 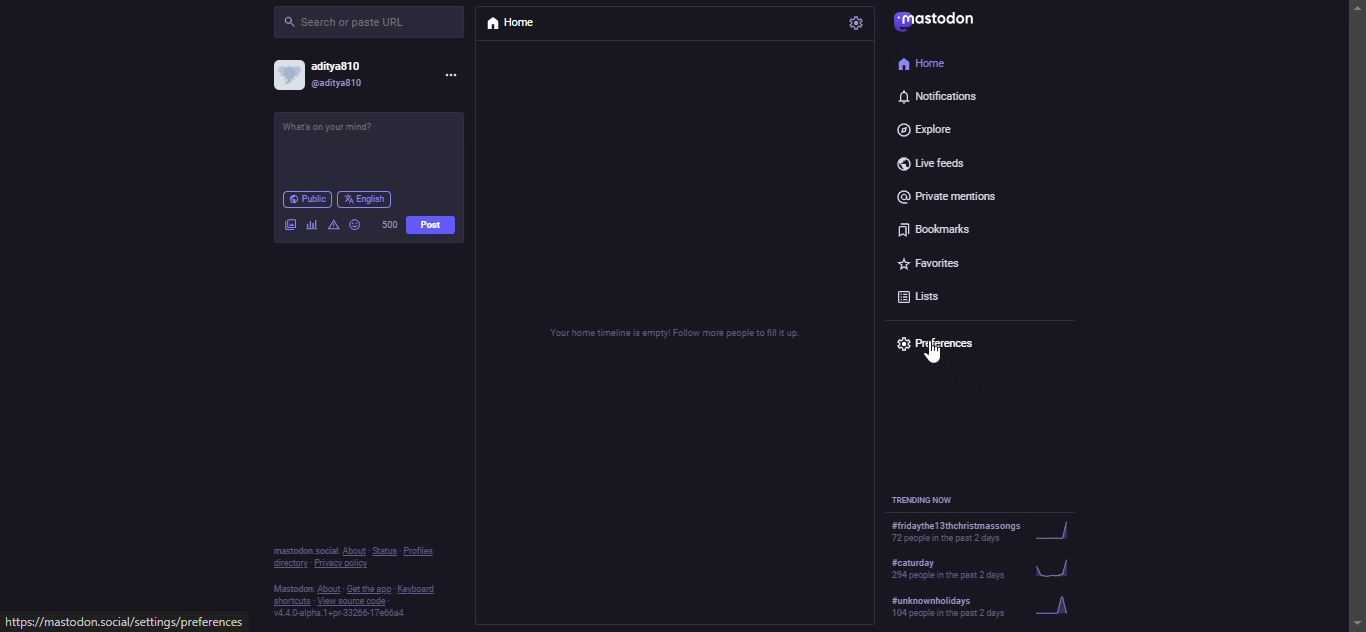 I want to click on bookmarks, so click(x=939, y=232).